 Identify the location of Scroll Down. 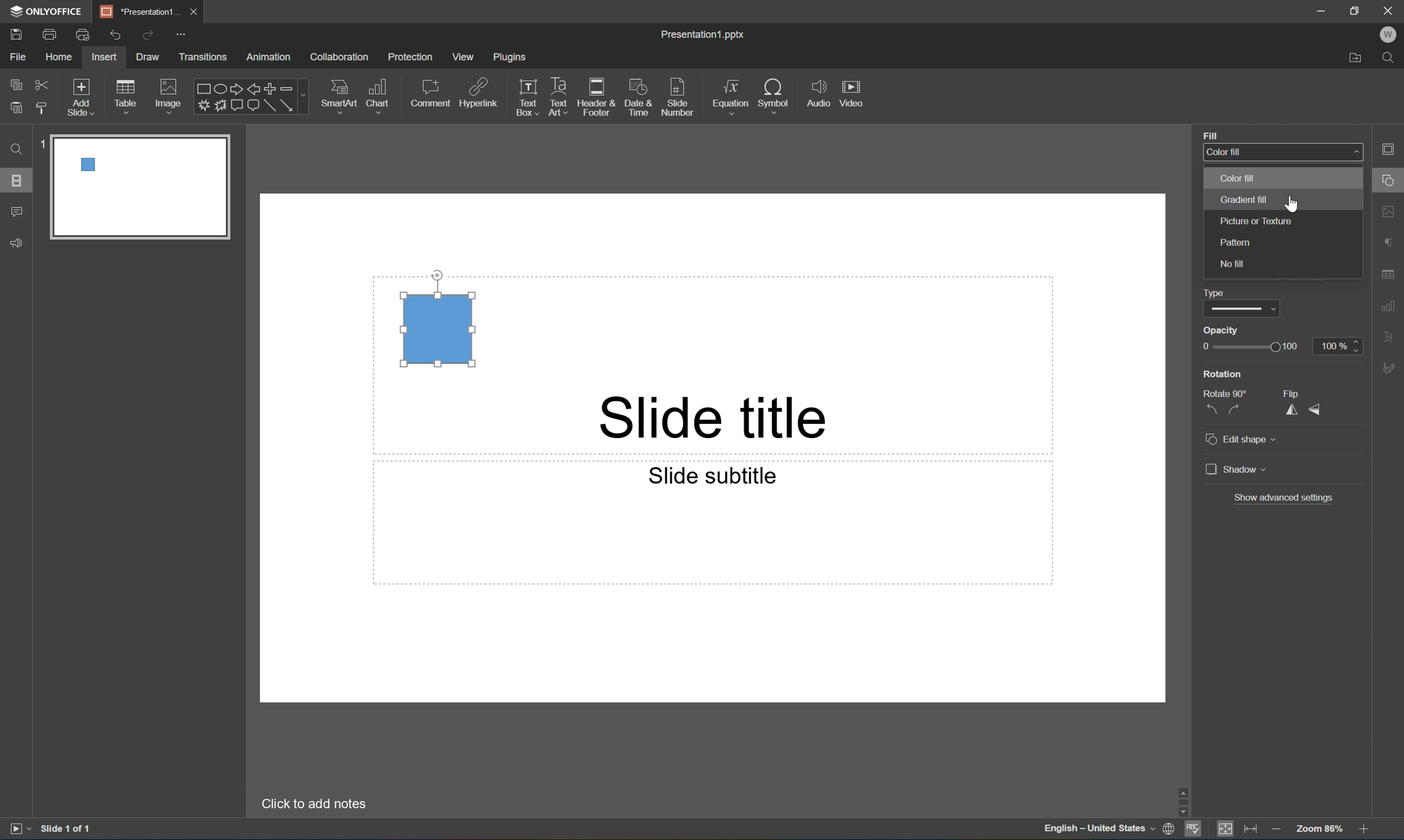
(1364, 812).